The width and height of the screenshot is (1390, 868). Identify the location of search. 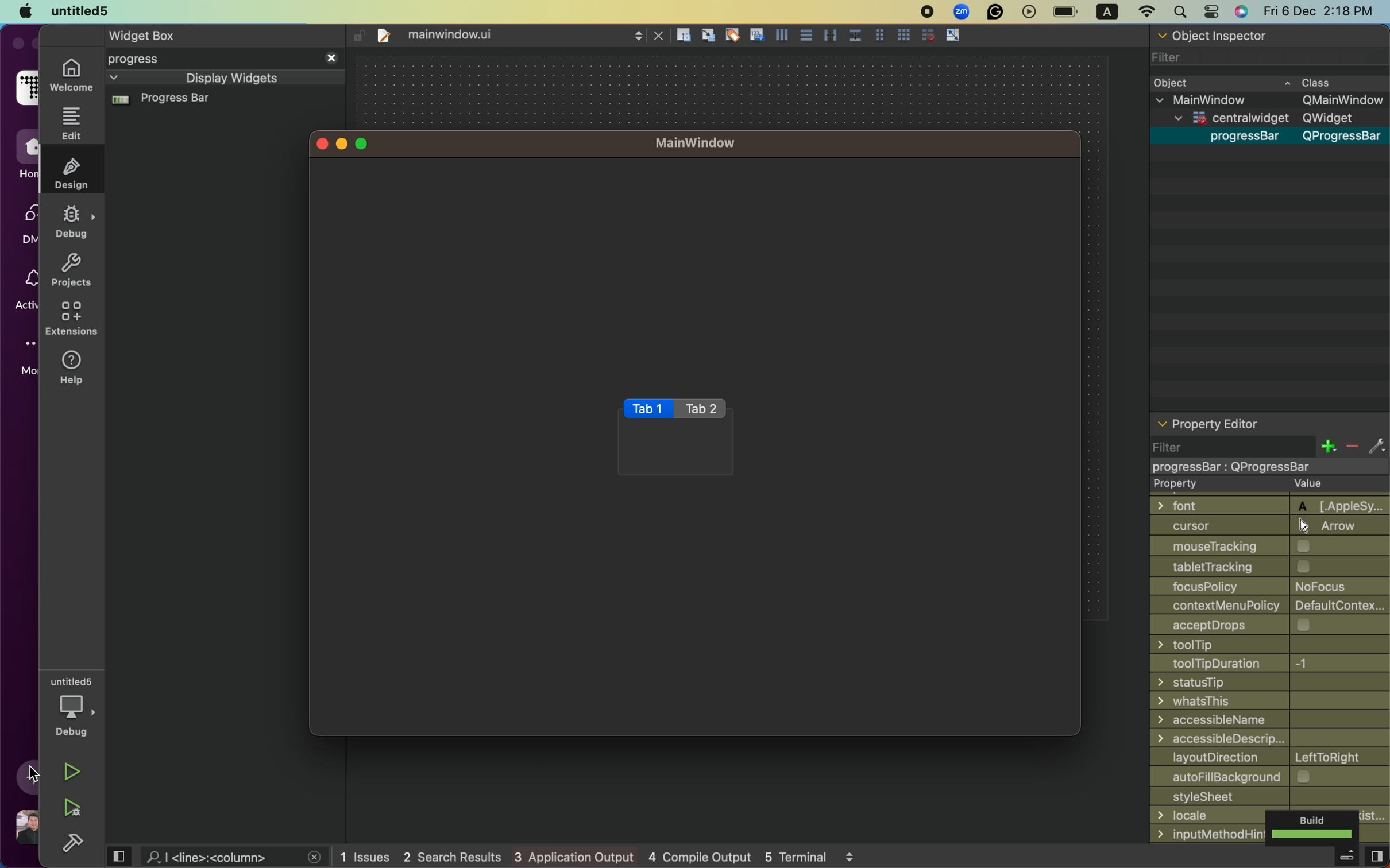
(217, 858).